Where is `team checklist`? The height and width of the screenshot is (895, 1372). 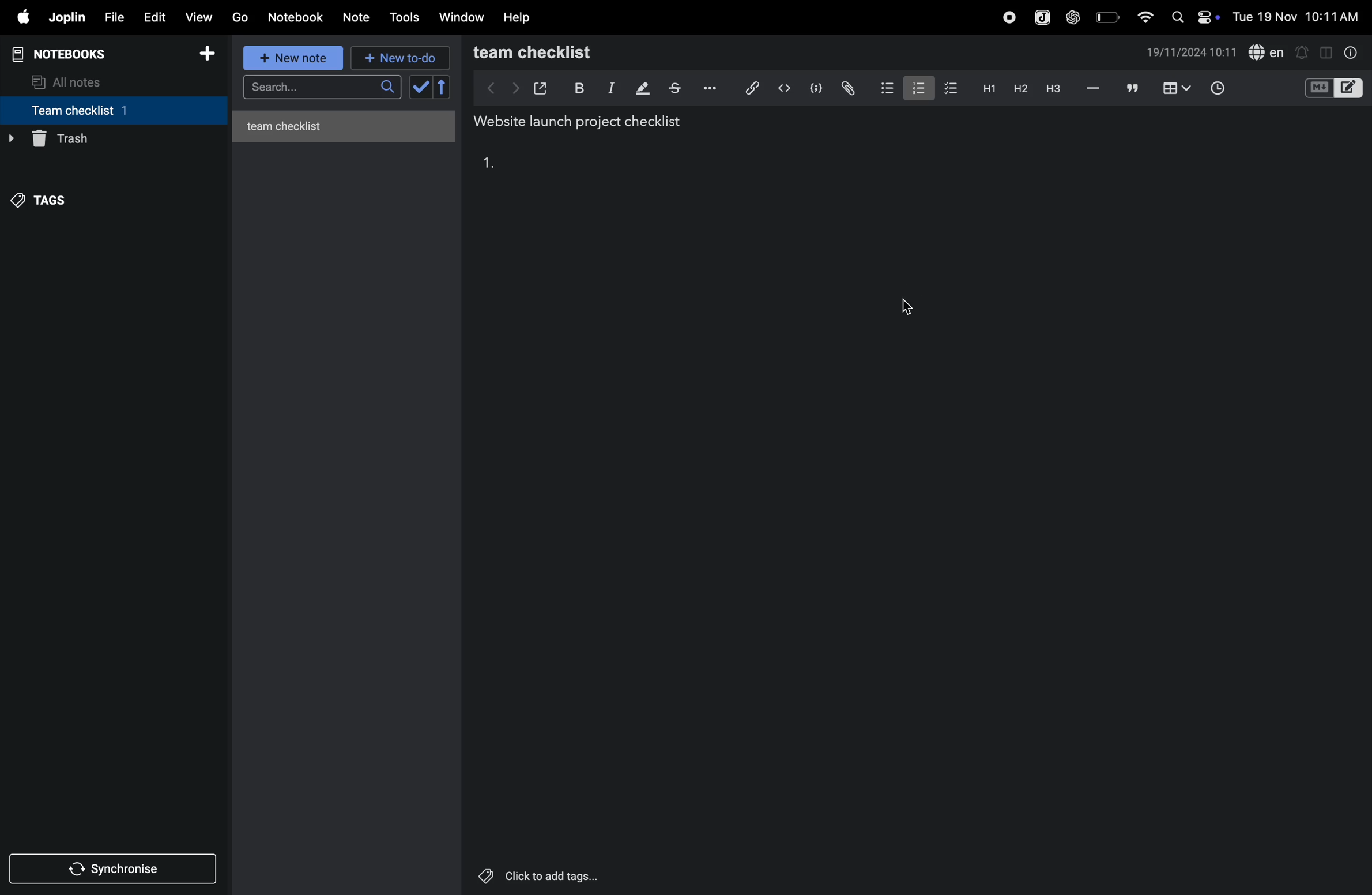
team checklist is located at coordinates (94, 110).